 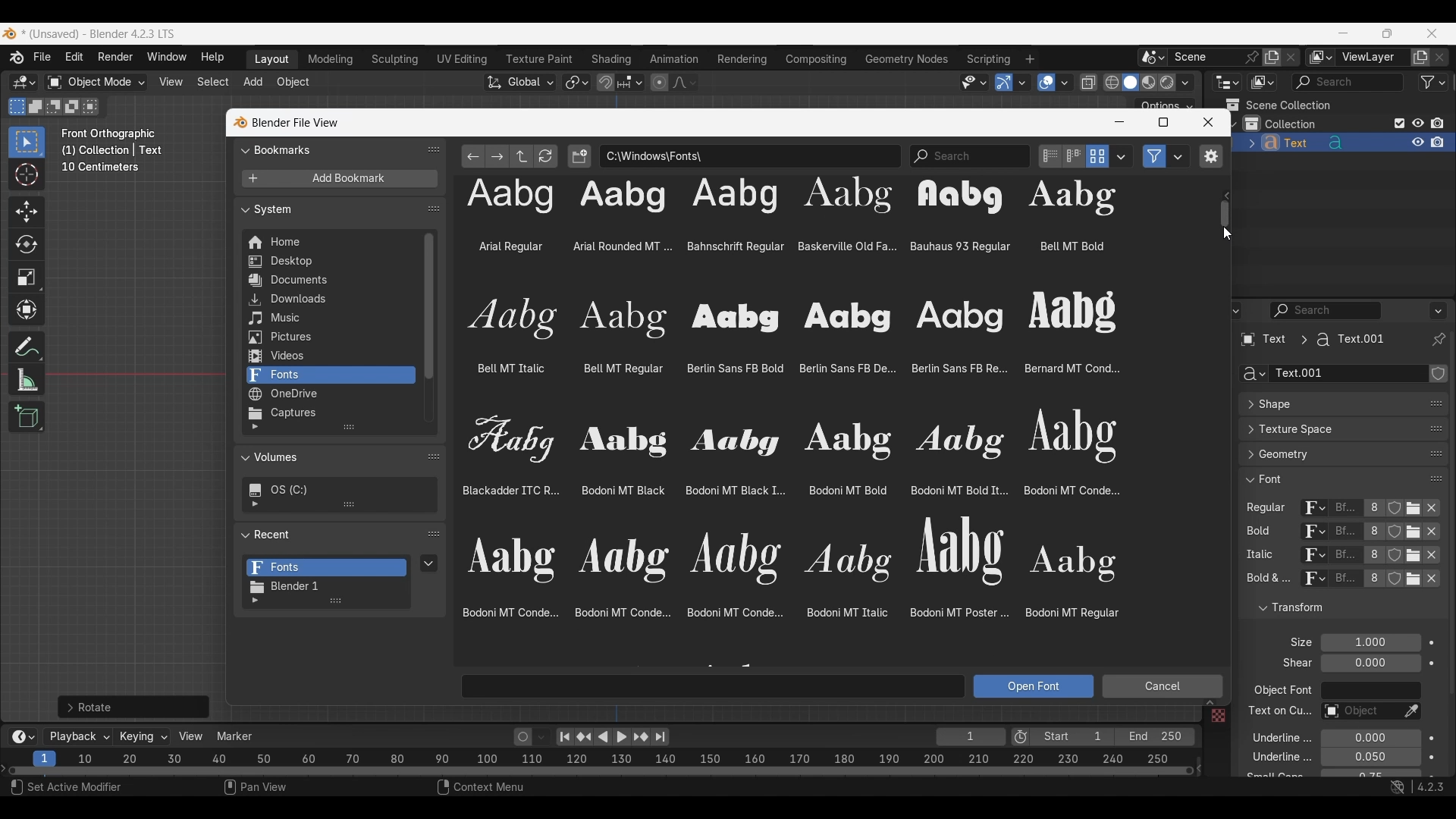 I want to click on Underline position, so click(x=1370, y=739).